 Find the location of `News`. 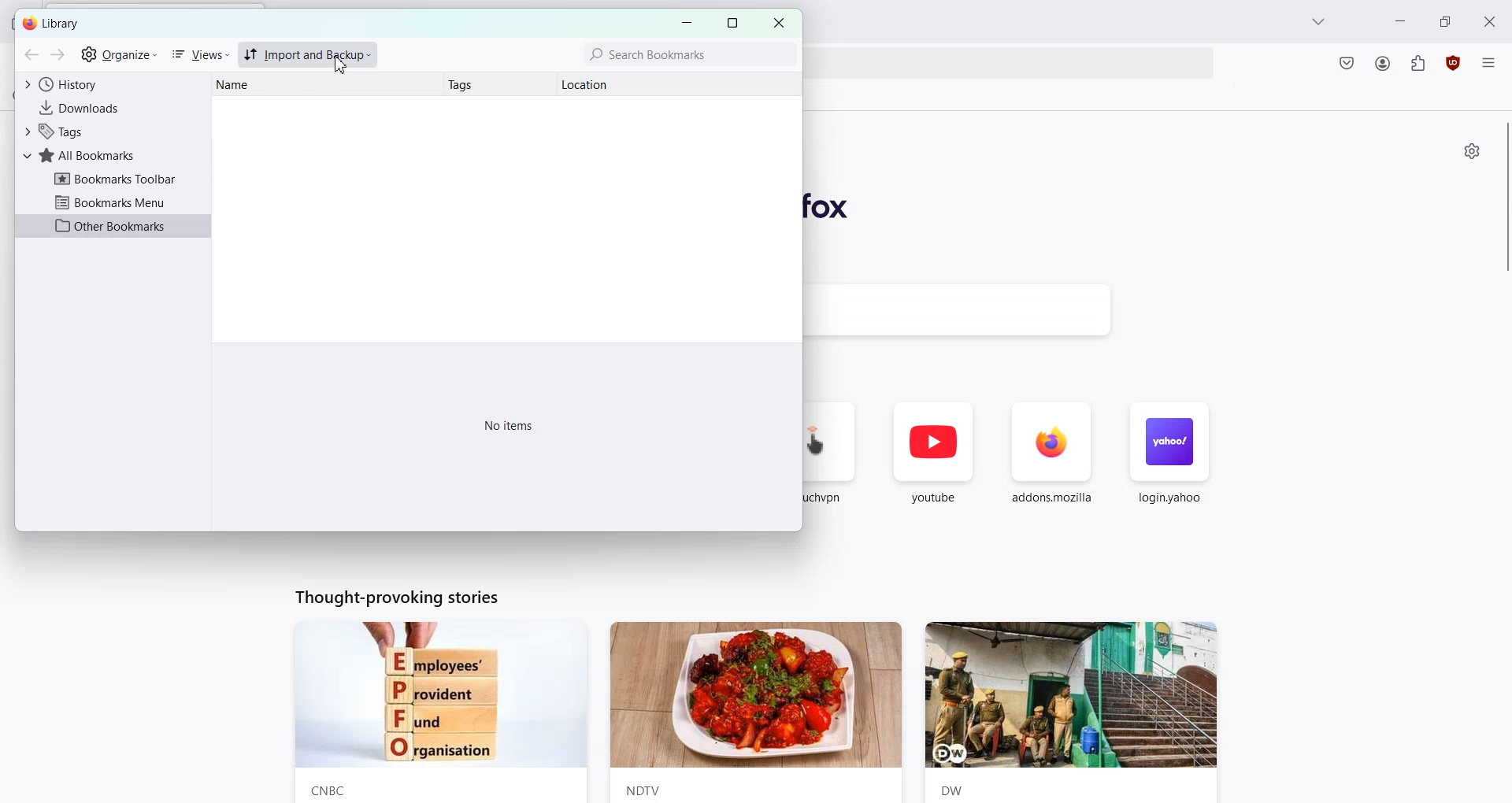

News is located at coordinates (1079, 712).